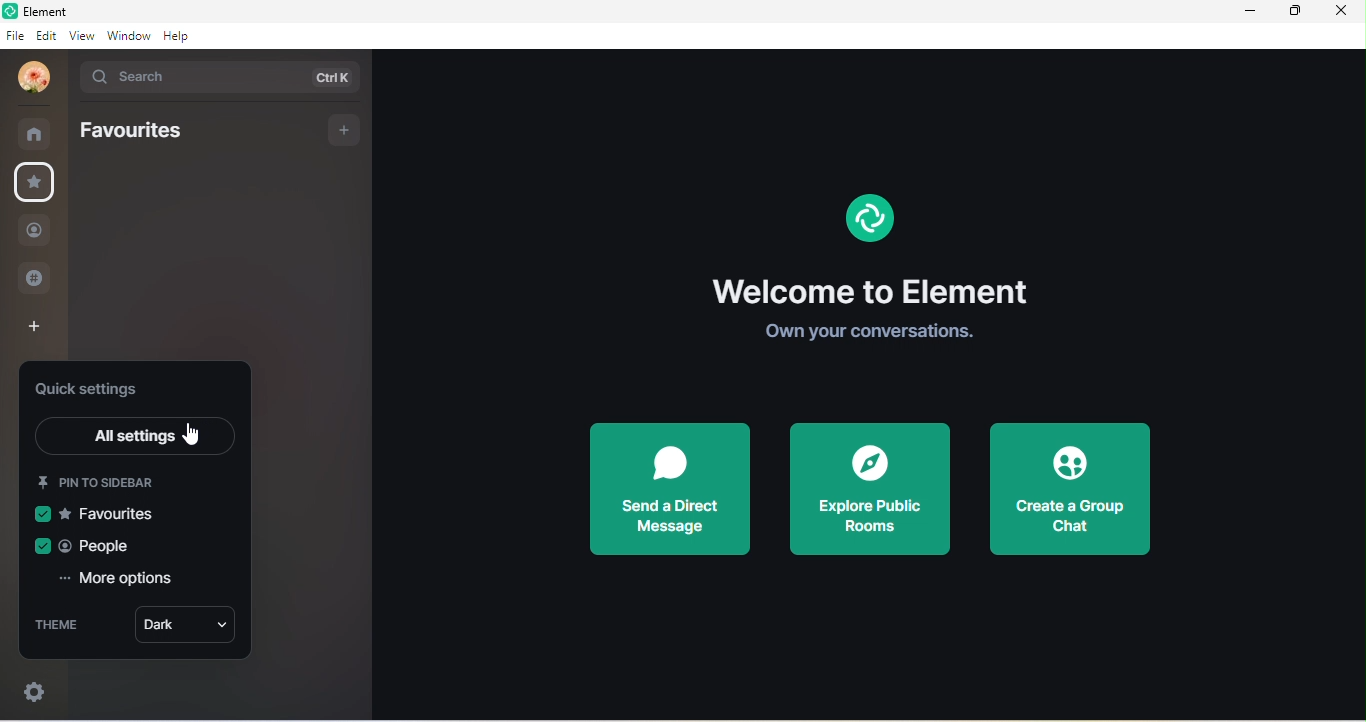 The height and width of the screenshot is (722, 1366). What do you see at coordinates (225, 78) in the screenshot?
I see `search` at bounding box center [225, 78].